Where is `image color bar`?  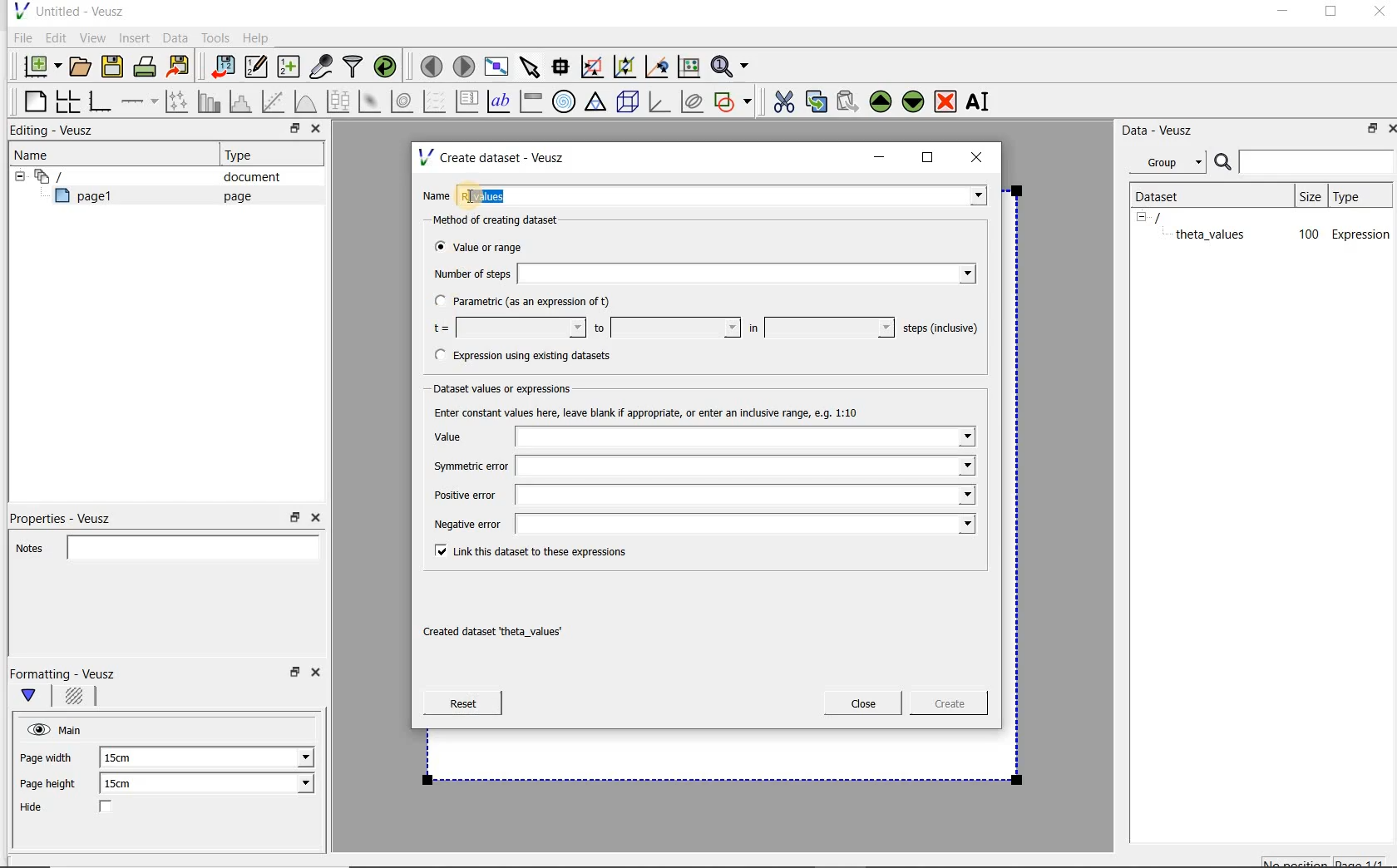
image color bar is located at coordinates (531, 101).